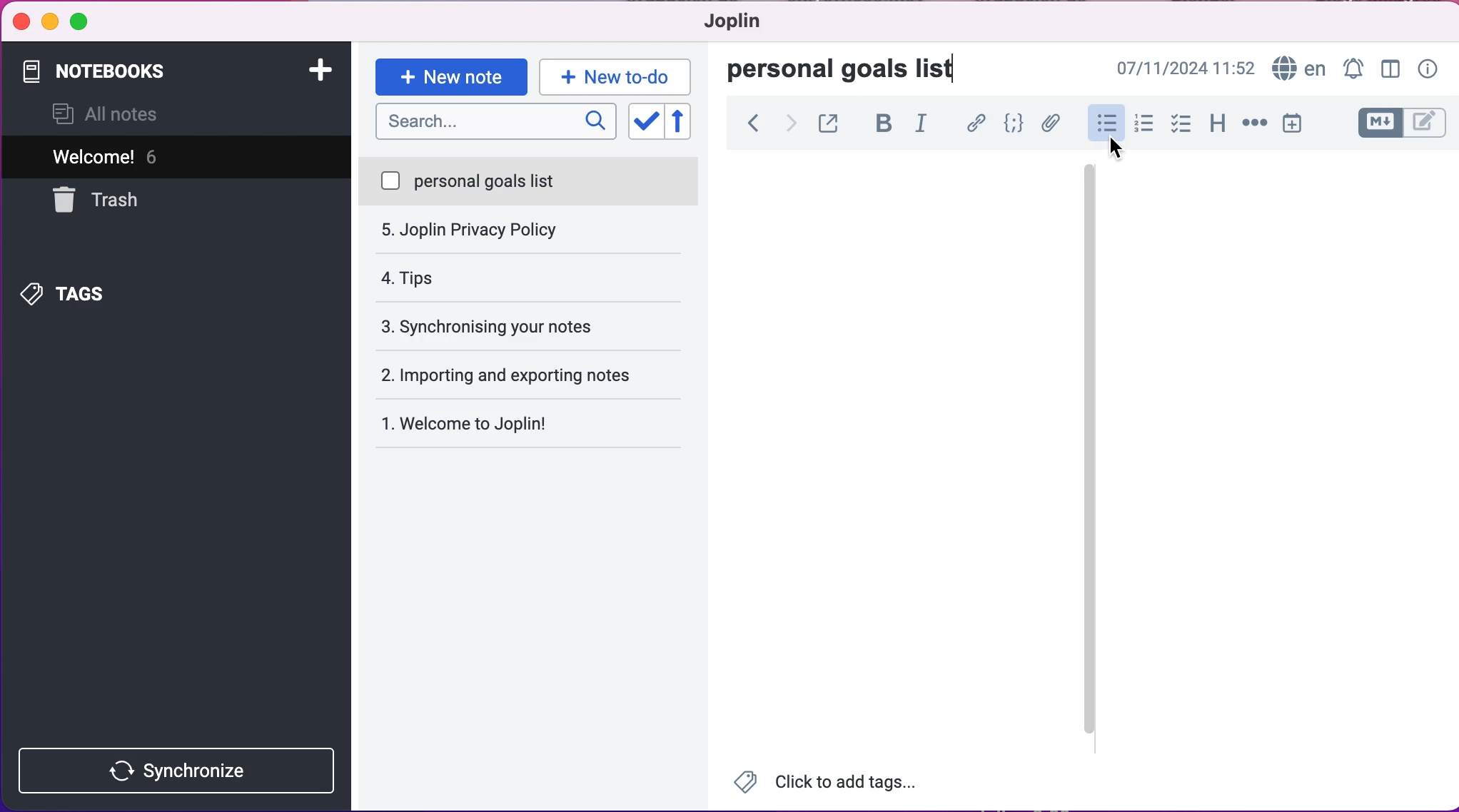  I want to click on language, so click(1298, 66).